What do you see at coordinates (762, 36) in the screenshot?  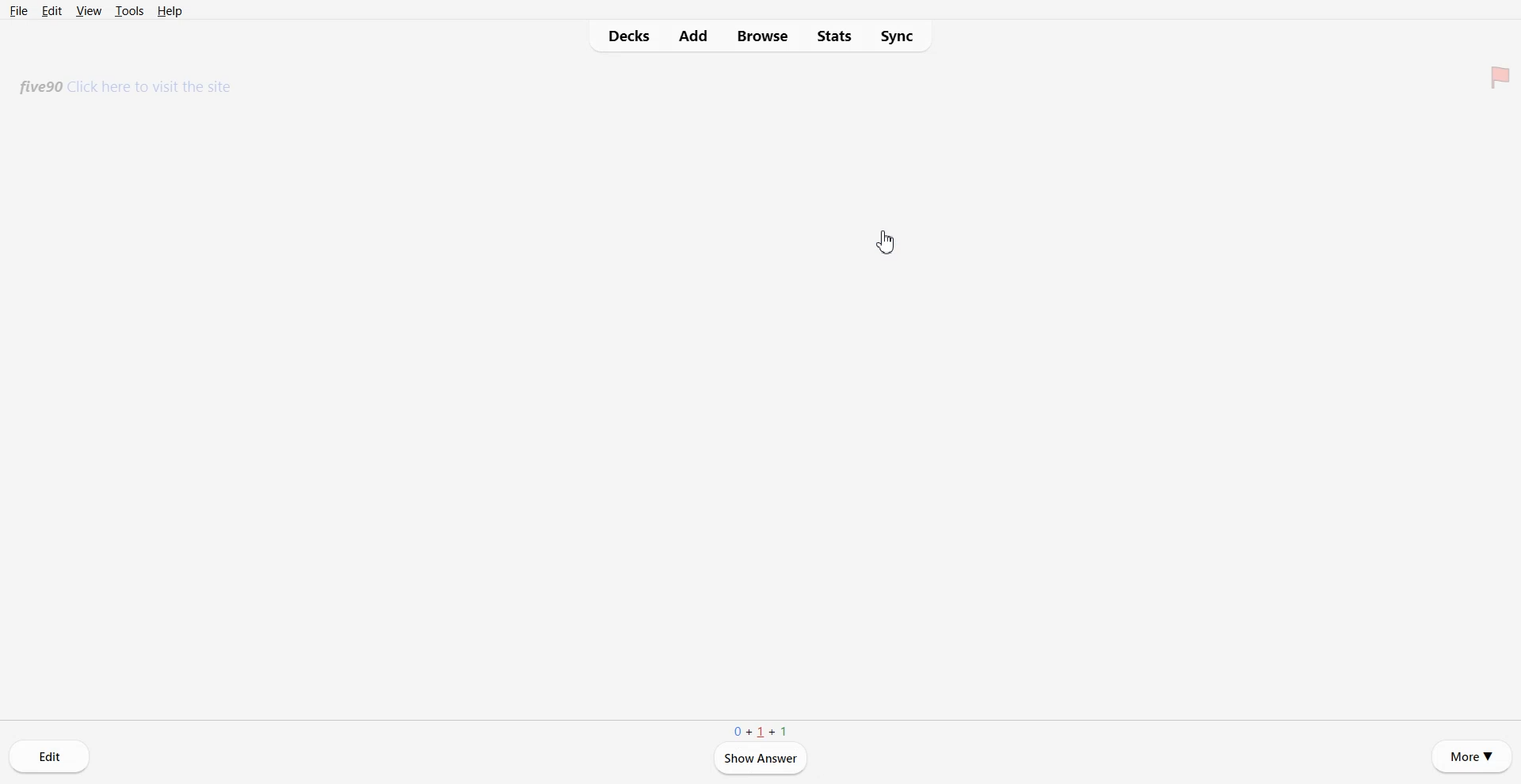 I see `Browse` at bounding box center [762, 36].